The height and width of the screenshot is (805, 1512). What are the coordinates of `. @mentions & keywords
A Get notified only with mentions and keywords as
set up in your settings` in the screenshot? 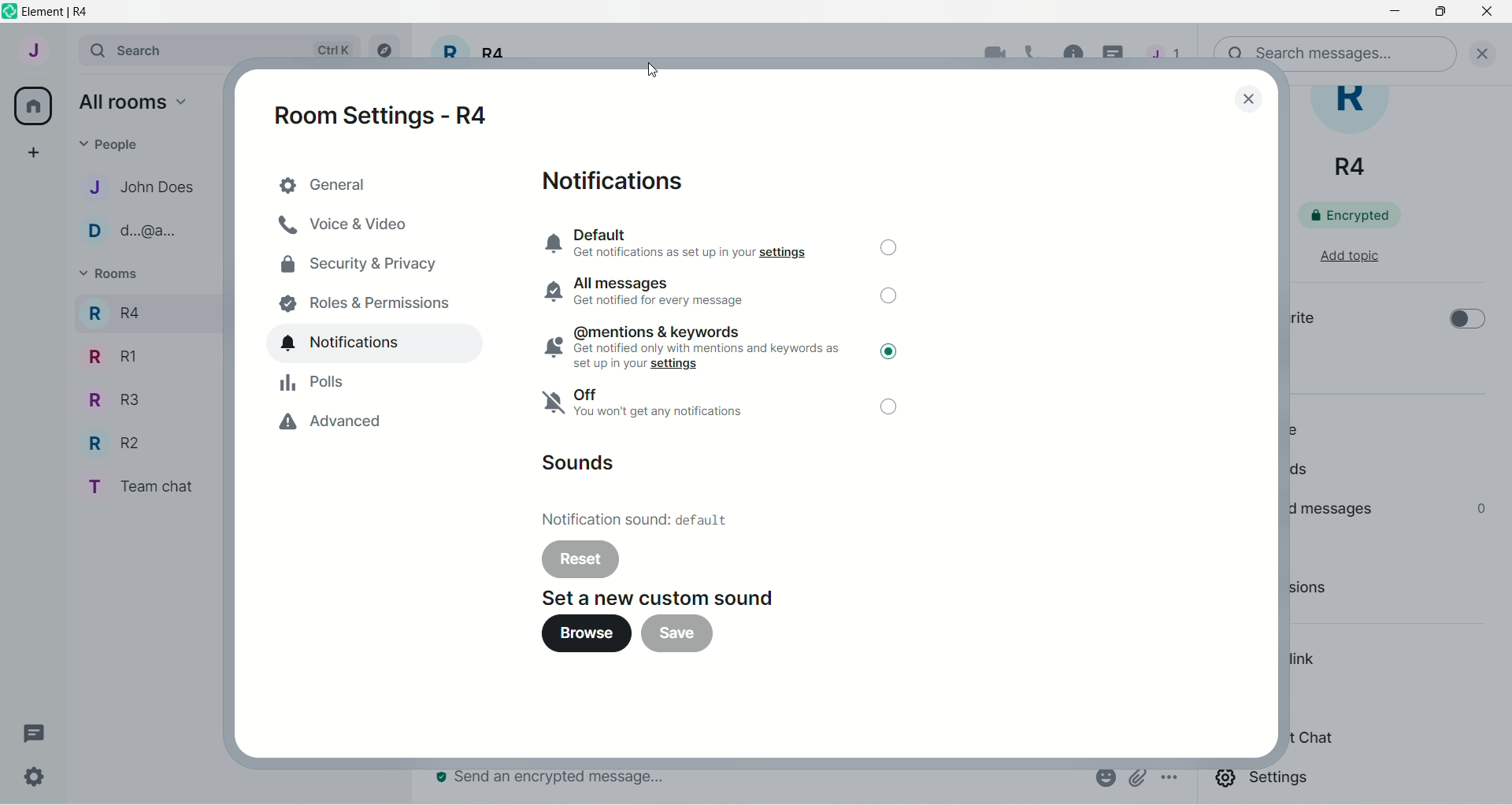 It's located at (686, 347).